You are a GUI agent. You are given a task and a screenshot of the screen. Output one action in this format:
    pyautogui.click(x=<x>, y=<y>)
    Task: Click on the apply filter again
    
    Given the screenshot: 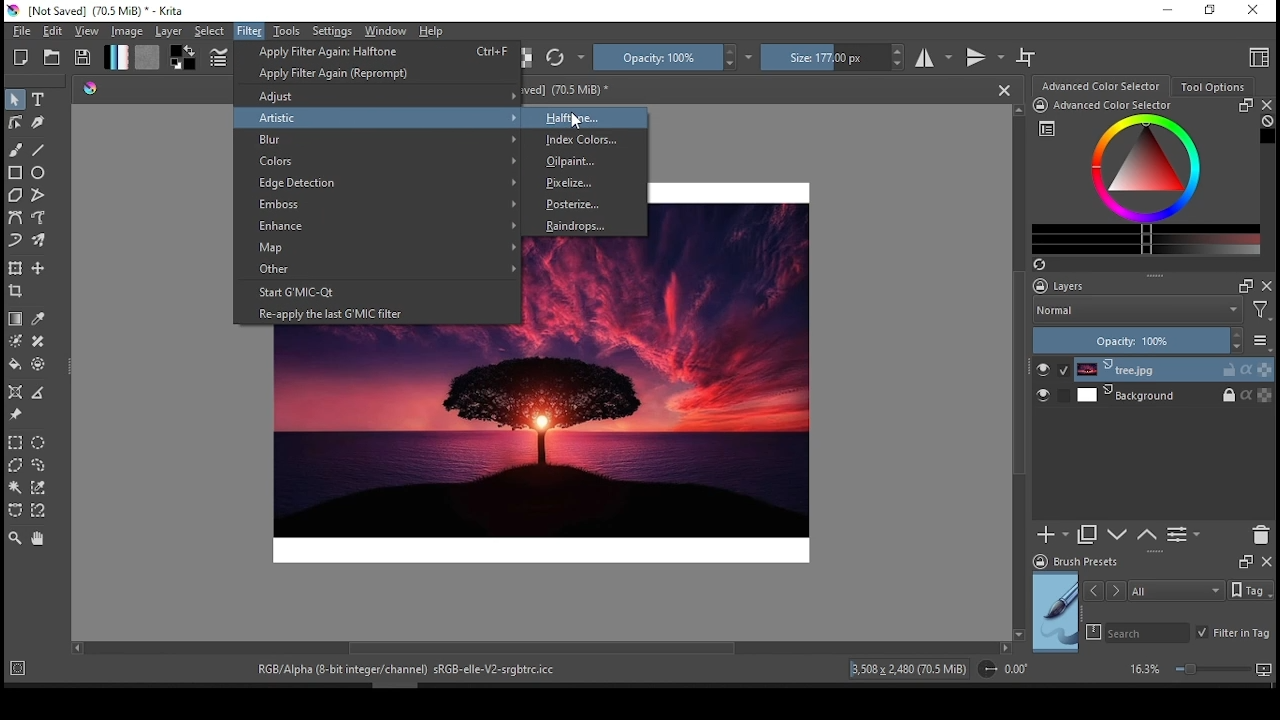 What is the action you would take?
    pyautogui.click(x=325, y=50)
    